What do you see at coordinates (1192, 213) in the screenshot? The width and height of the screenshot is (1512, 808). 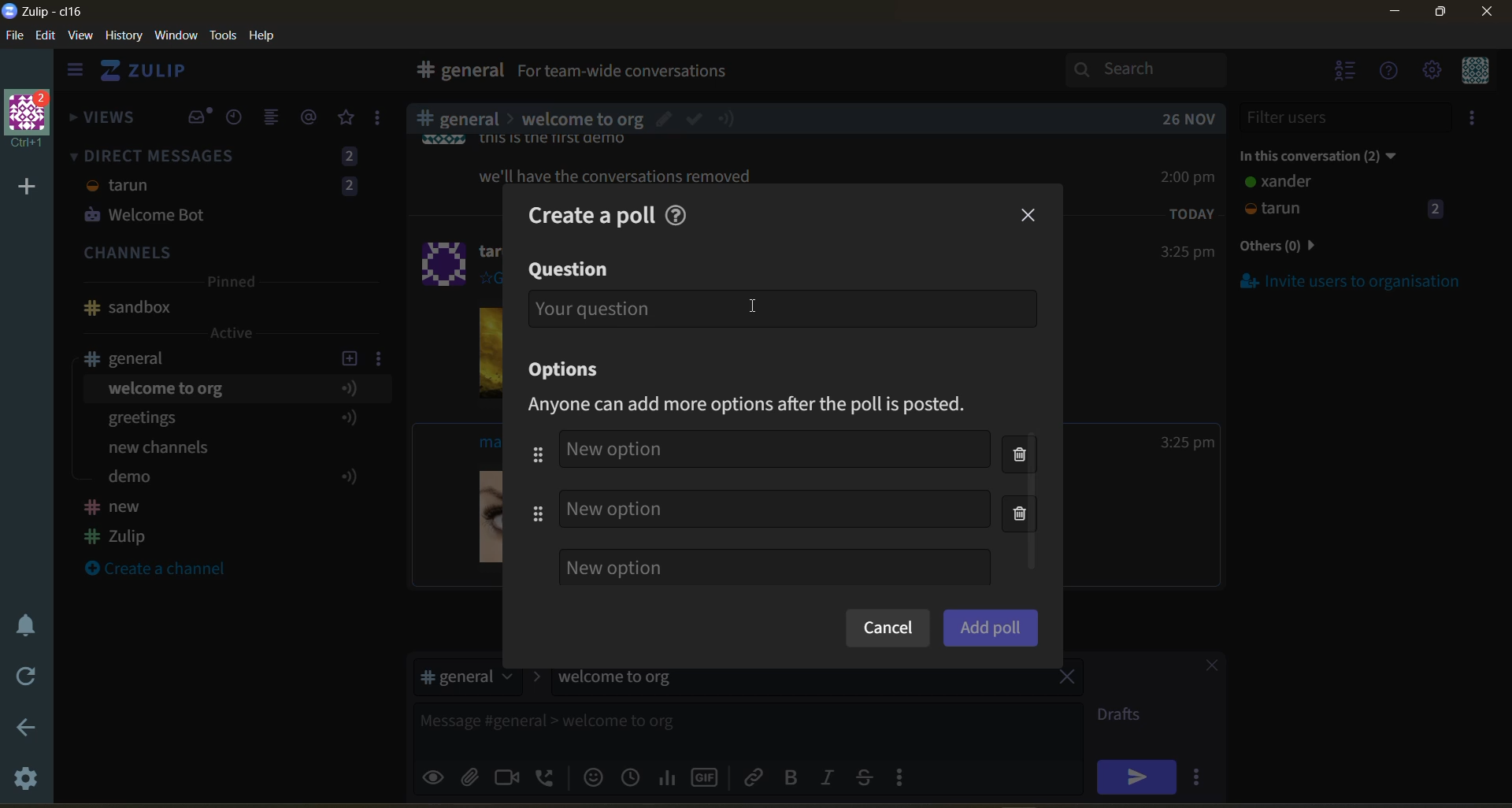 I see `today` at bounding box center [1192, 213].